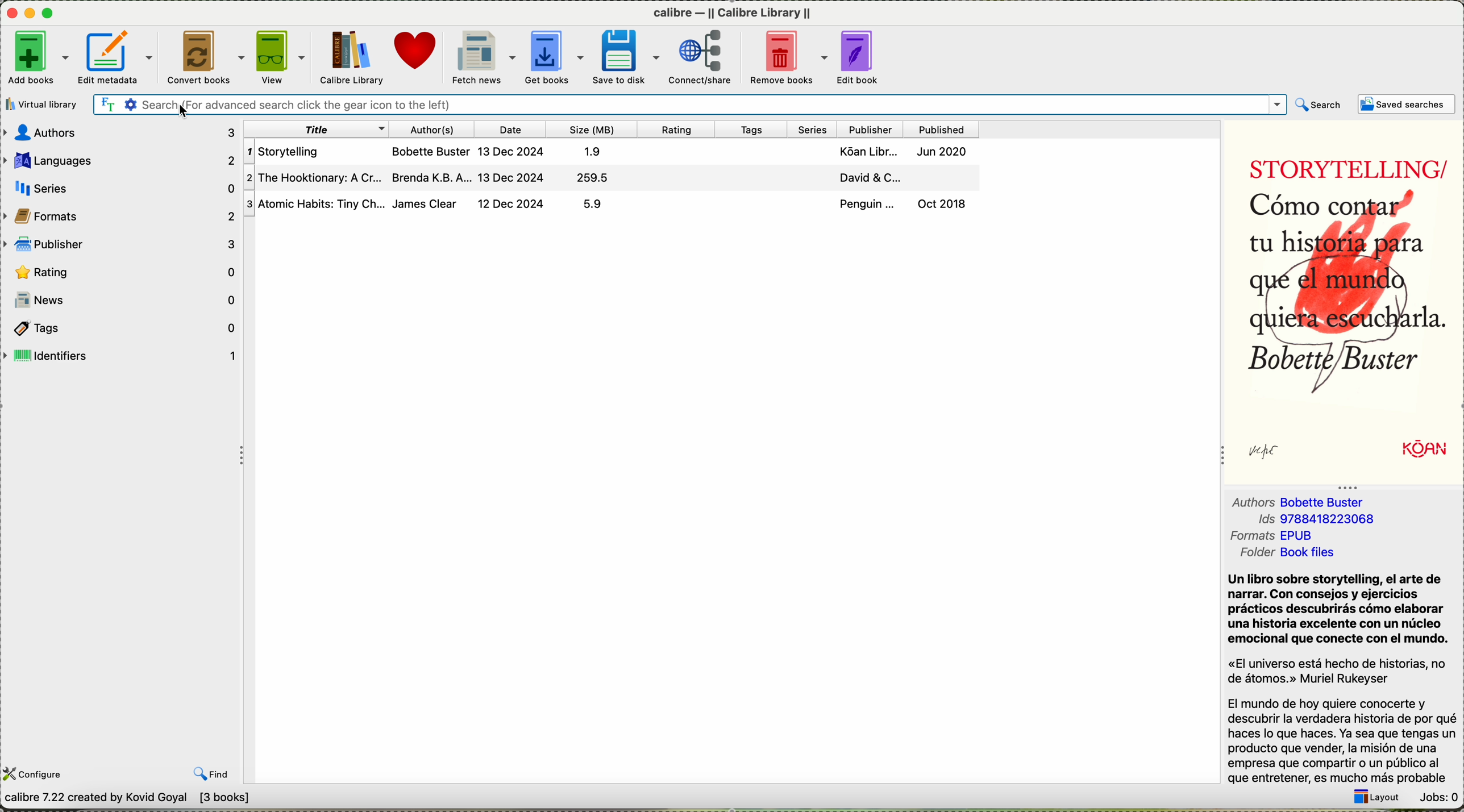 The height and width of the screenshot is (812, 1464). Describe the element at coordinates (119, 131) in the screenshot. I see `authors` at that location.